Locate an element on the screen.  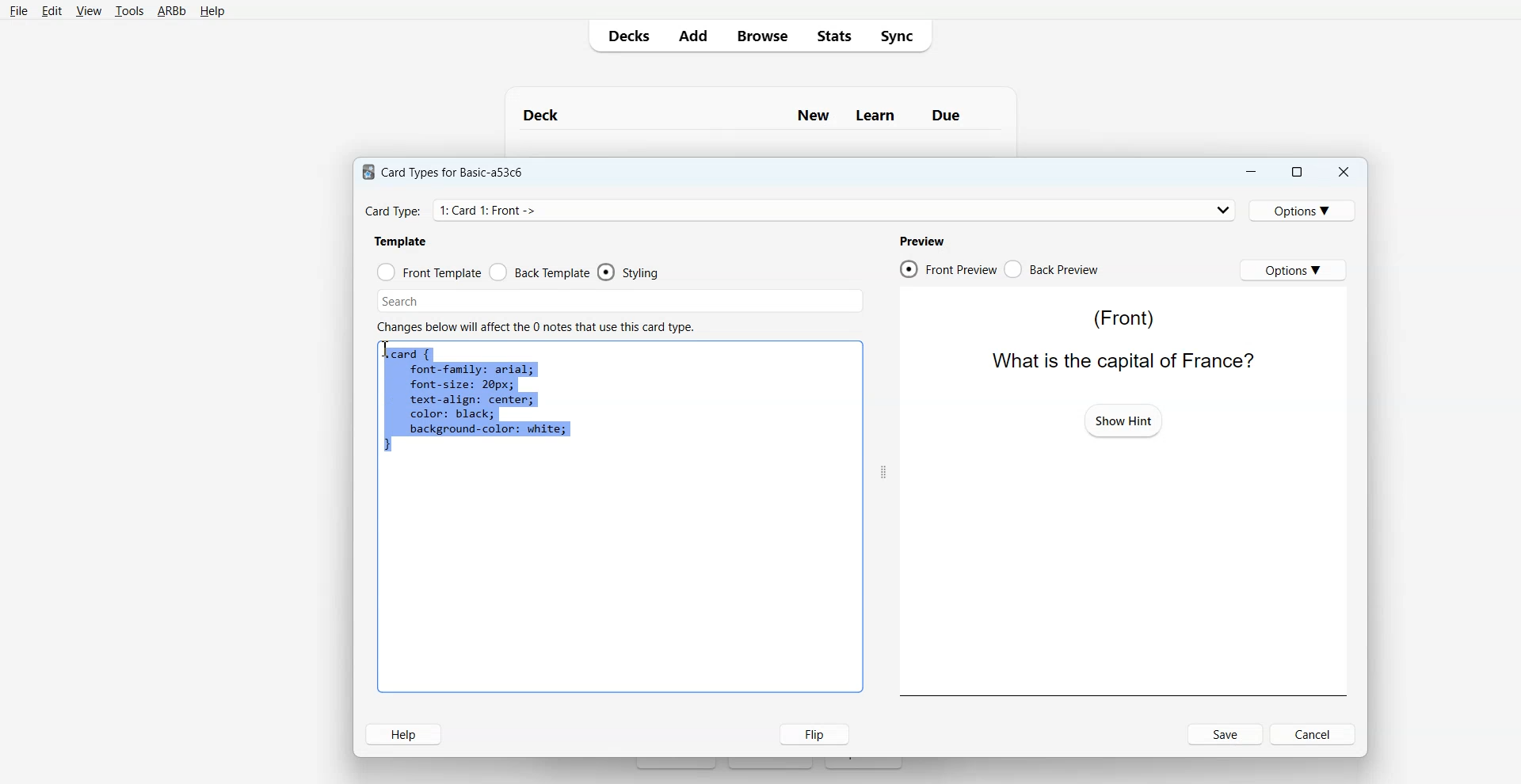
Search Bar is located at coordinates (620, 301).